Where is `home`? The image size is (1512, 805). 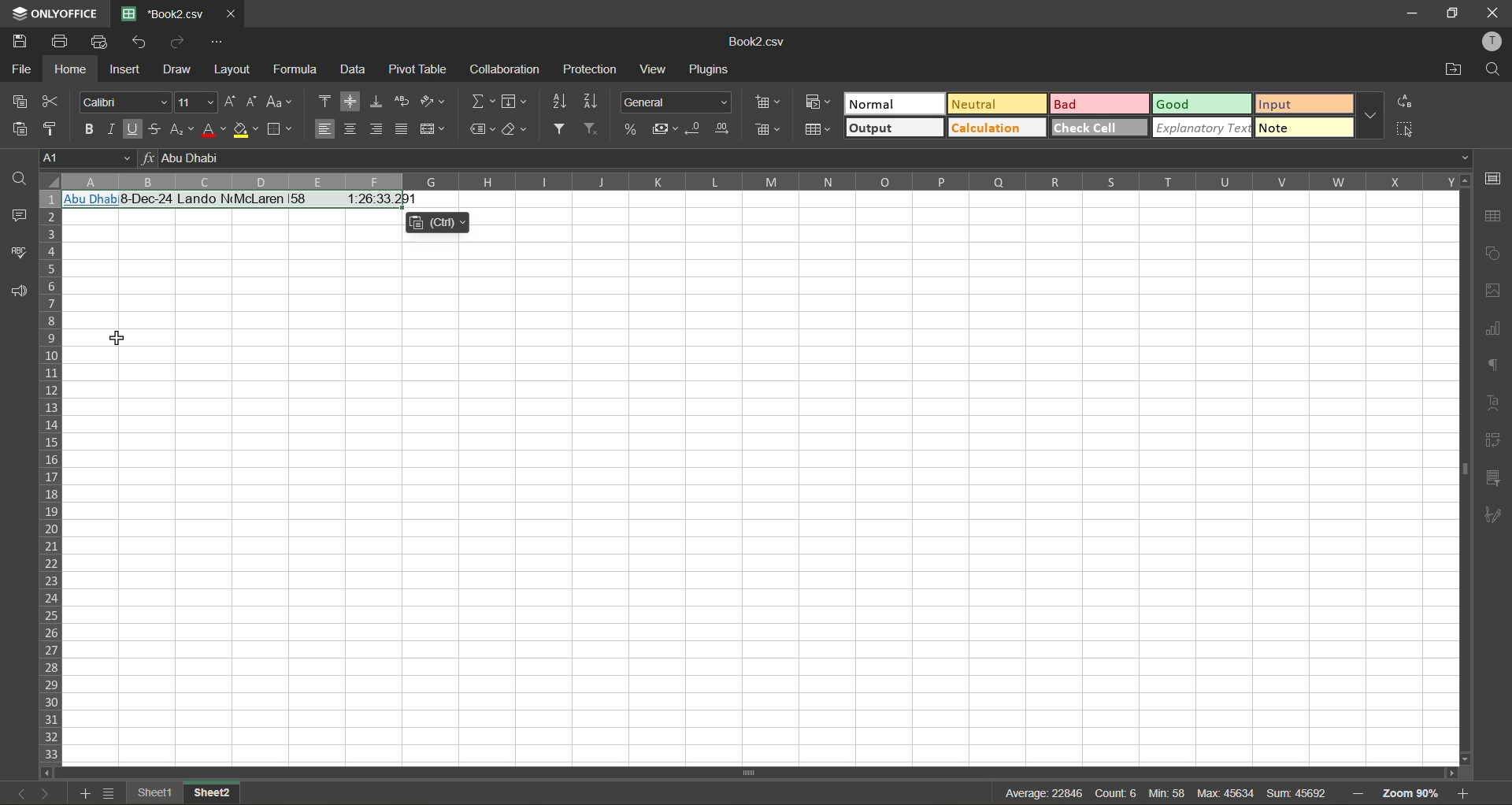
home is located at coordinates (67, 69).